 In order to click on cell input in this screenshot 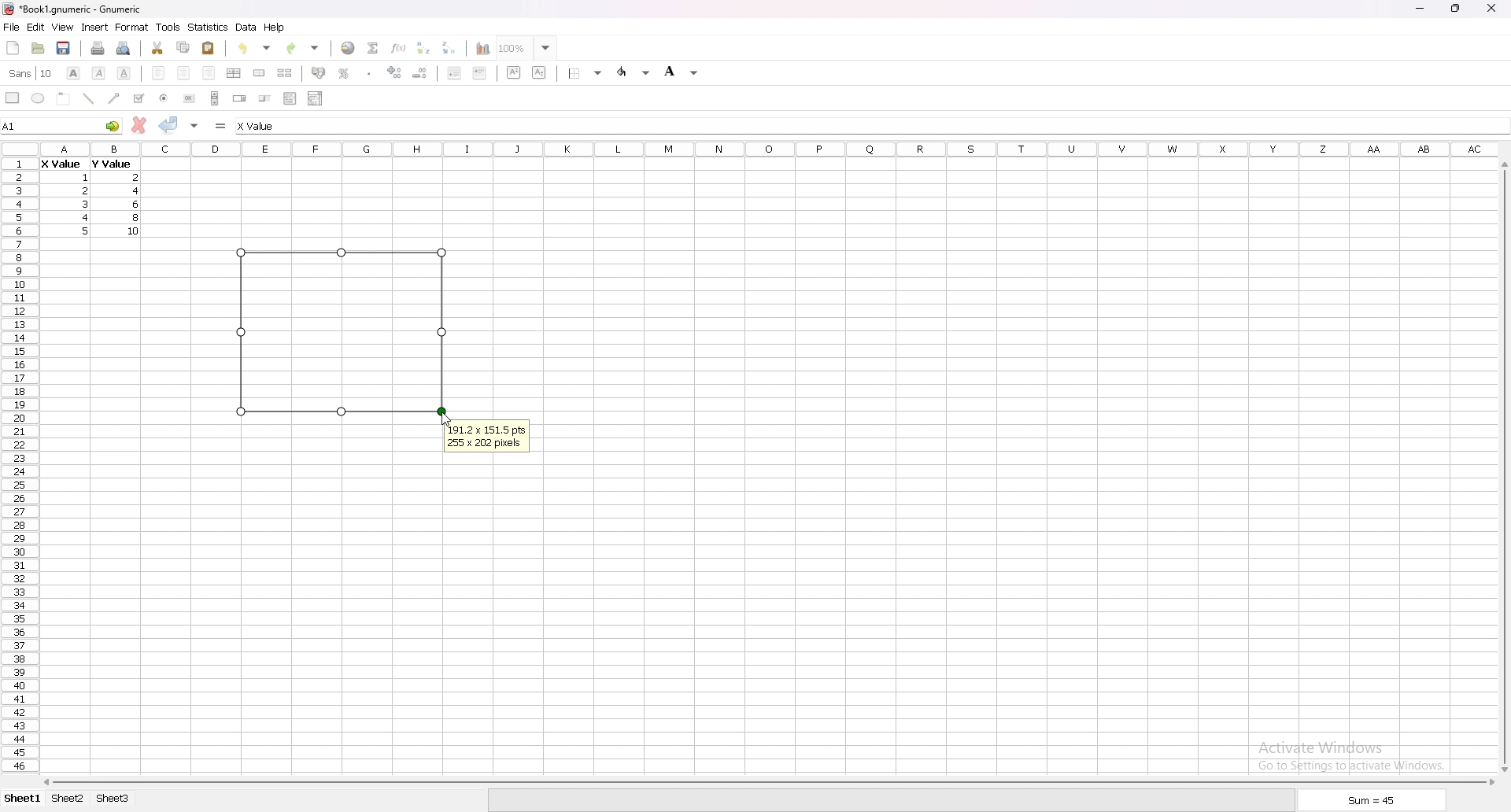, I will do `click(272, 126)`.